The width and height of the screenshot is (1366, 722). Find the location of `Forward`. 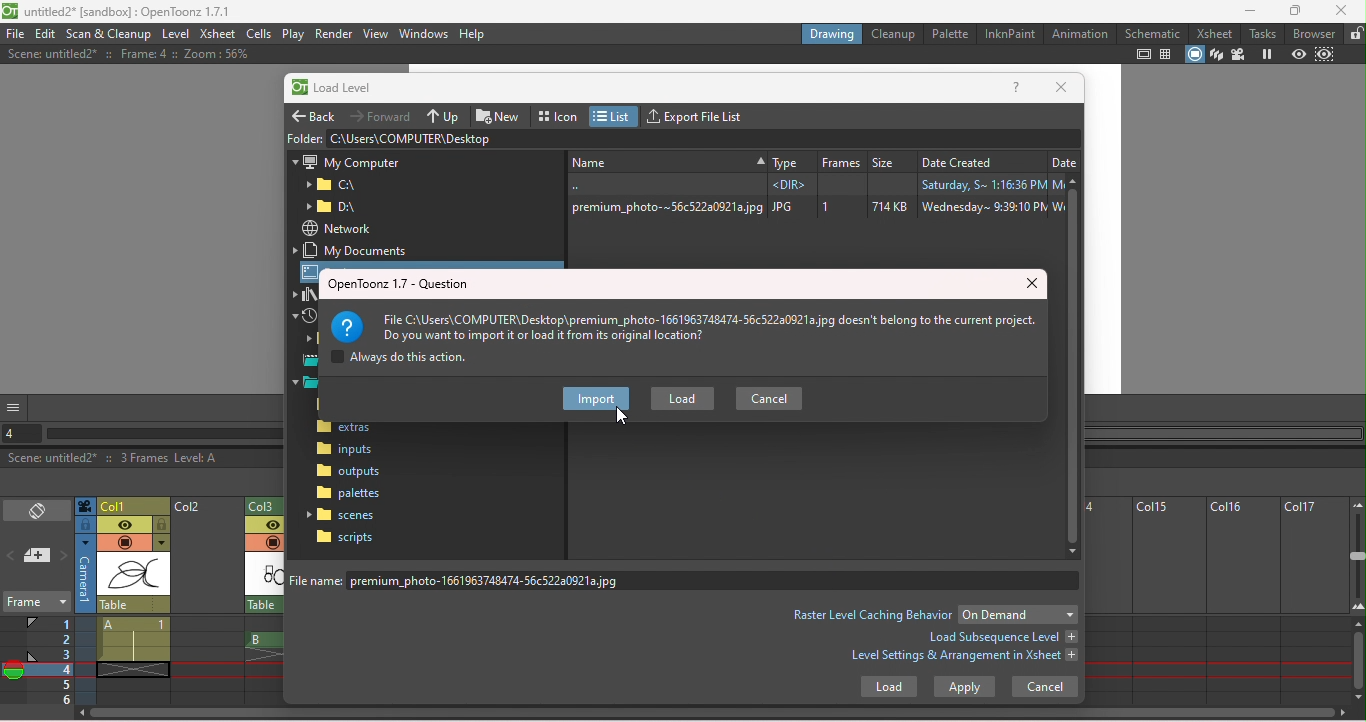

Forward is located at coordinates (383, 115).